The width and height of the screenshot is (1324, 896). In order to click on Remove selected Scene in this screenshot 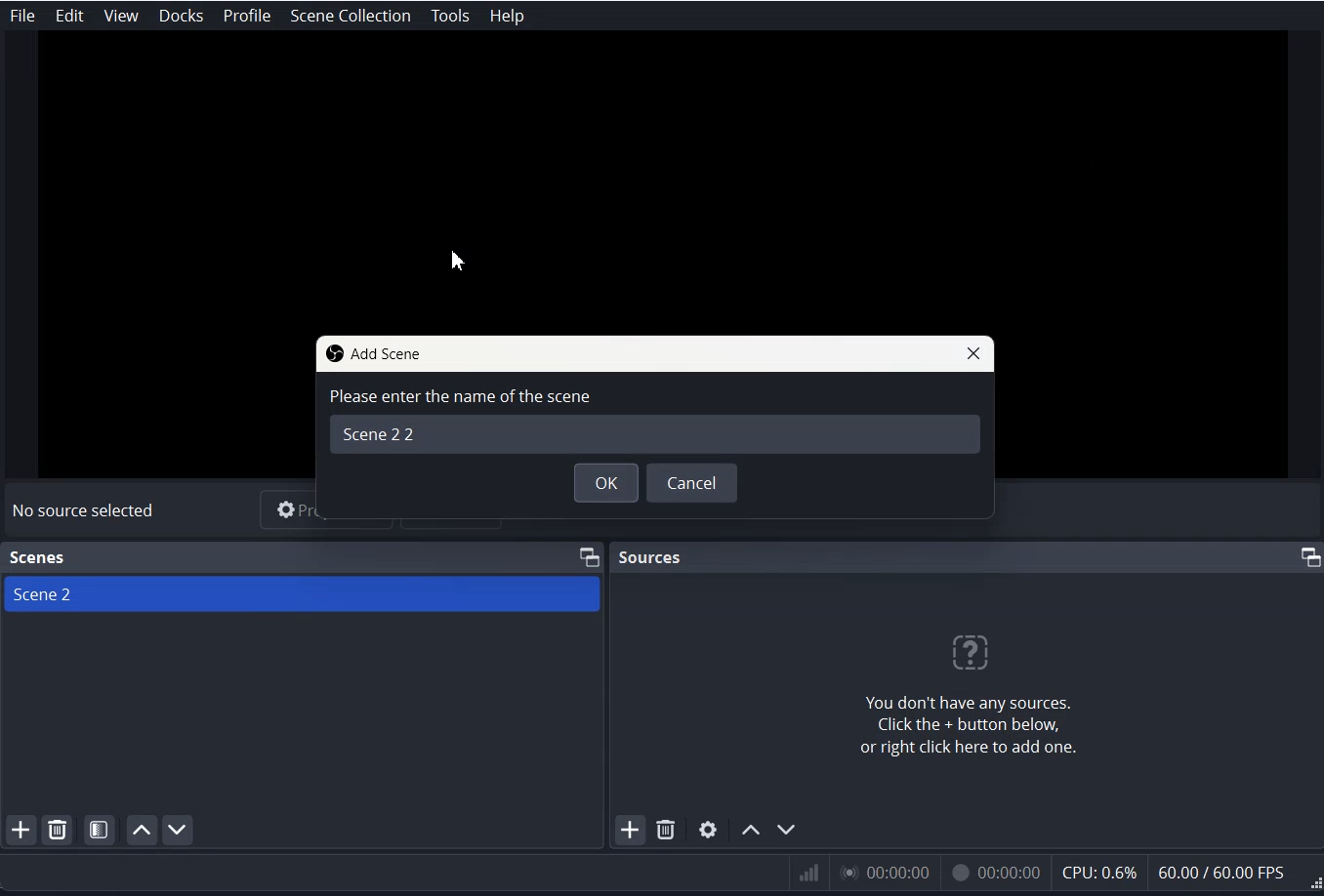, I will do `click(58, 830)`.